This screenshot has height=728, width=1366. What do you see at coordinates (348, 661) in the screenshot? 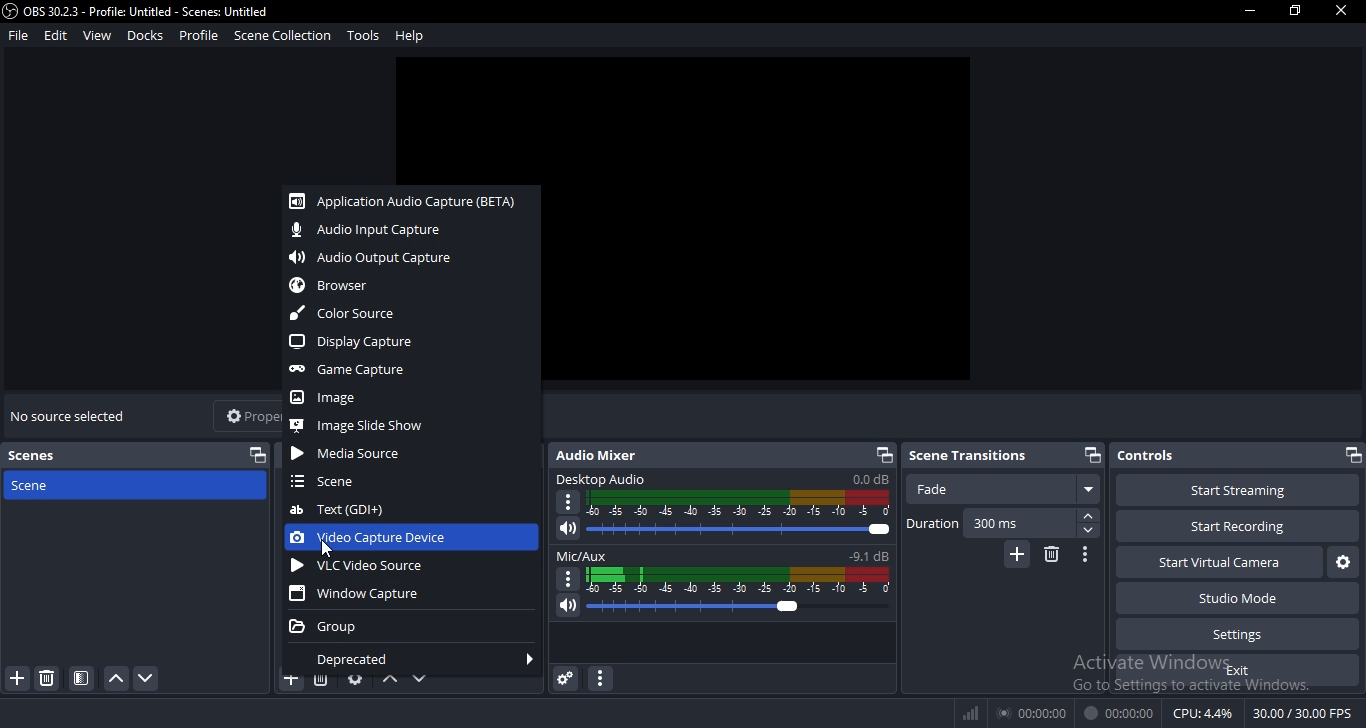
I see `deprecated` at bounding box center [348, 661].